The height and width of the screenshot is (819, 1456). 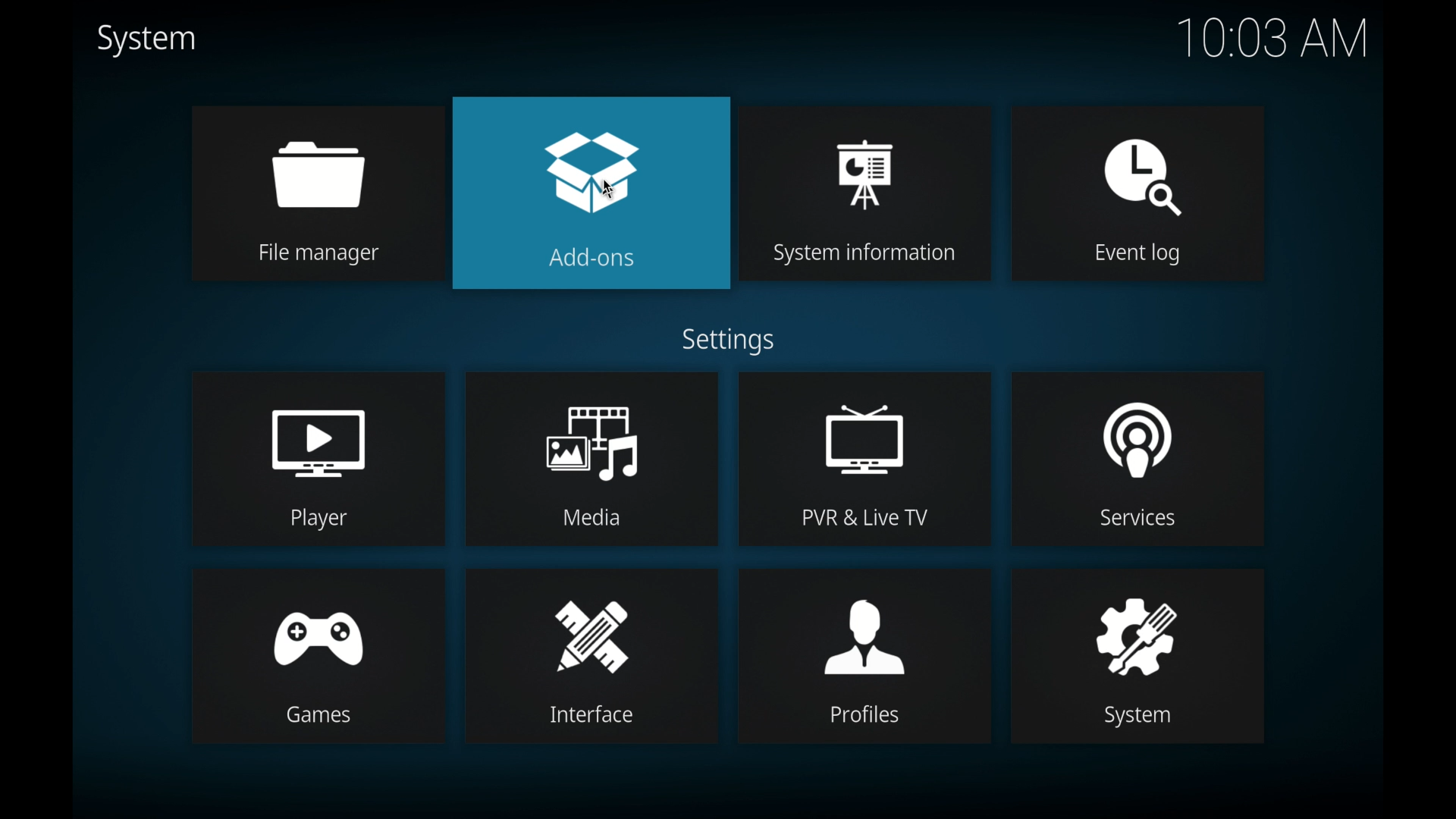 What do you see at coordinates (864, 458) in the screenshot?
I see `pvr and live tv` at bounding box center [864, 458].